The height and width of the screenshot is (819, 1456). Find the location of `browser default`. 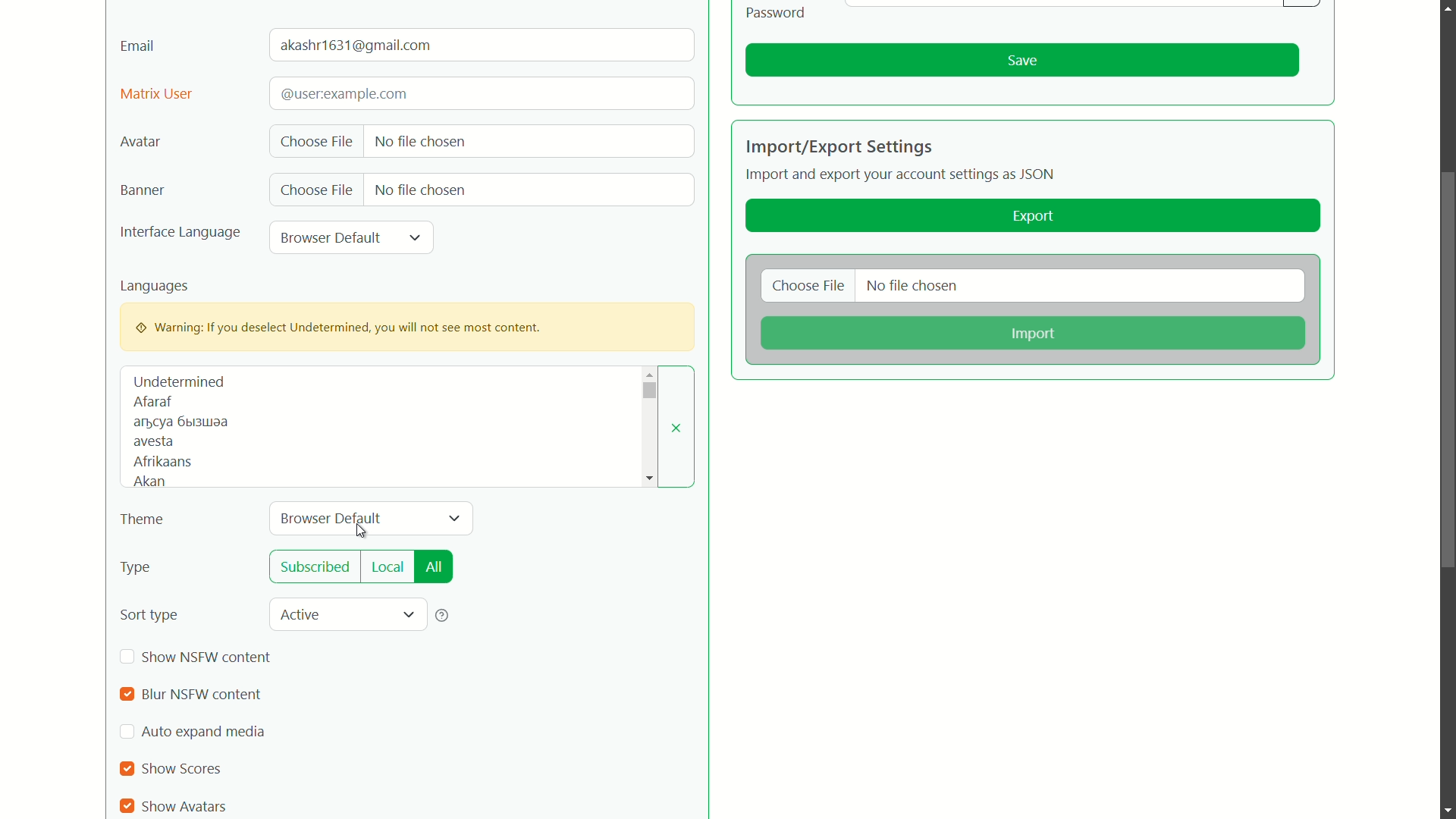

browser default is located at coordinates (331, 237).